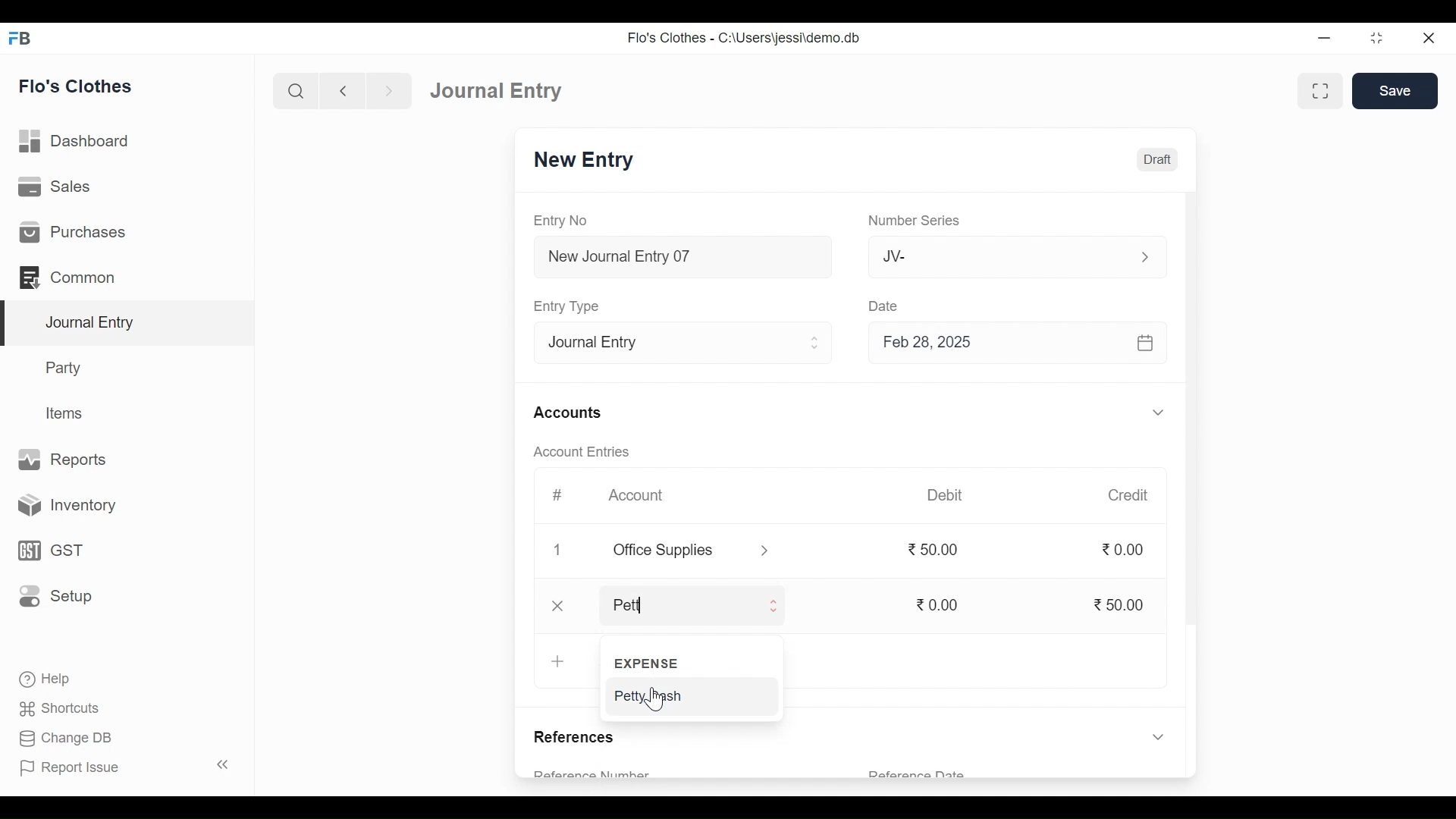 The height and width of the screenshot is (819, 1456). What do you see at coordinates (943, 495) in the screenshot?
I see `Debit` at bounding box center [943, 495].